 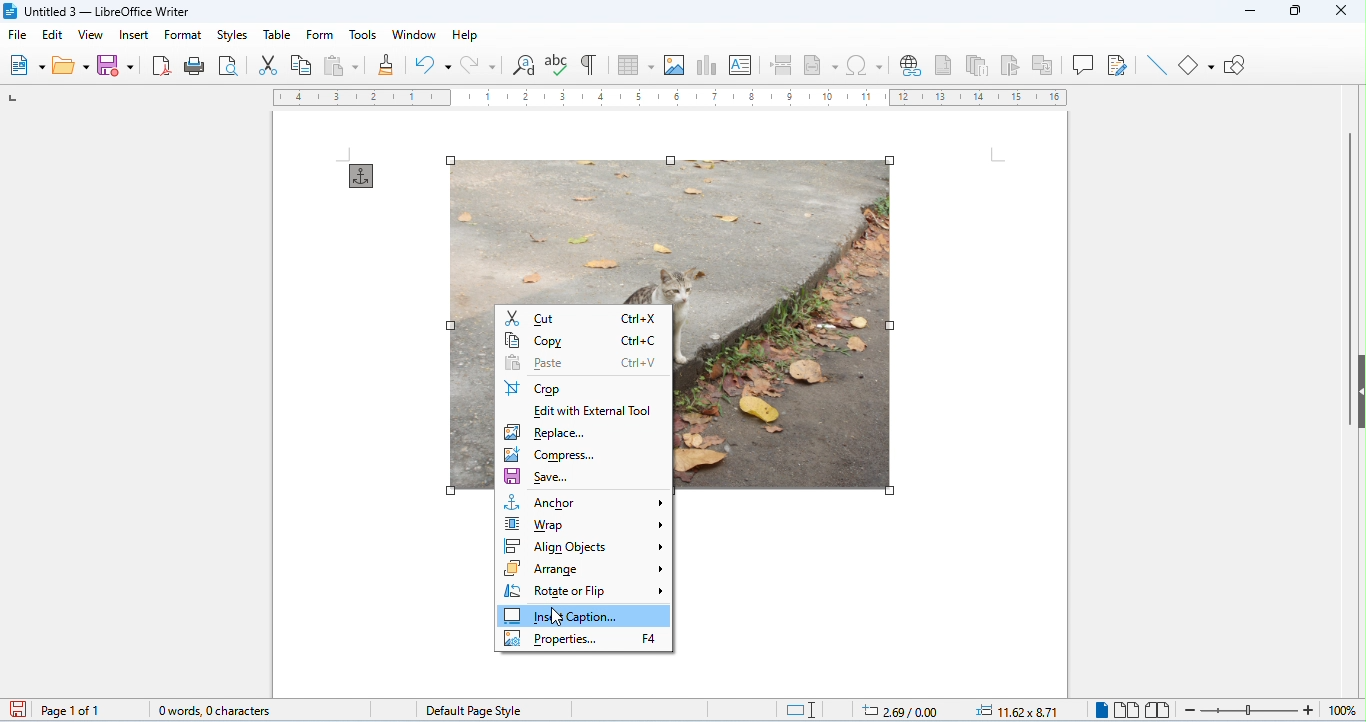 What do you see at coordinates (587, 524) in the screenshot?
I see `wrap` at bounding box center [587, 524].